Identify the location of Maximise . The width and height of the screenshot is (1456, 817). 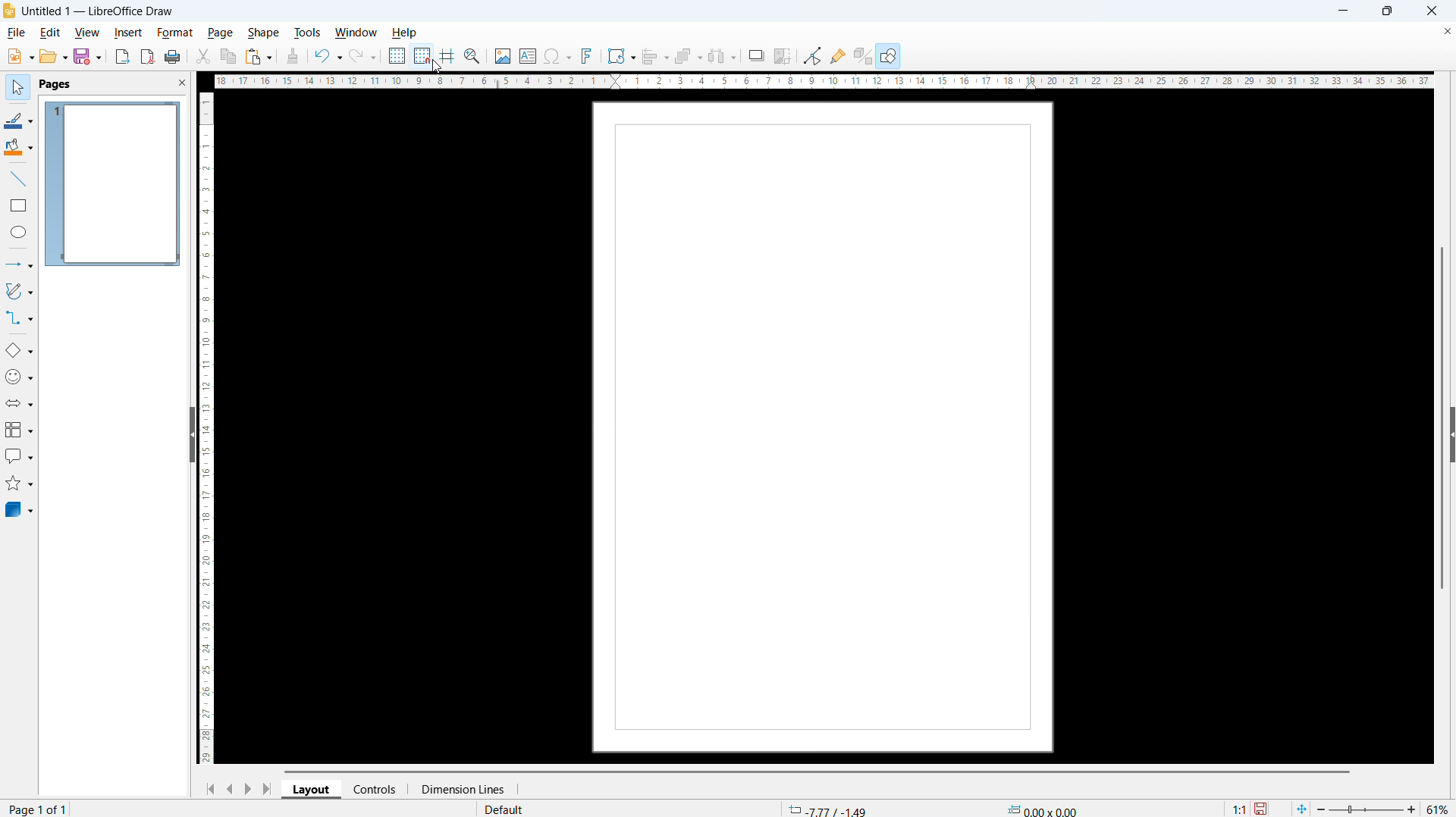
(1387, 11).